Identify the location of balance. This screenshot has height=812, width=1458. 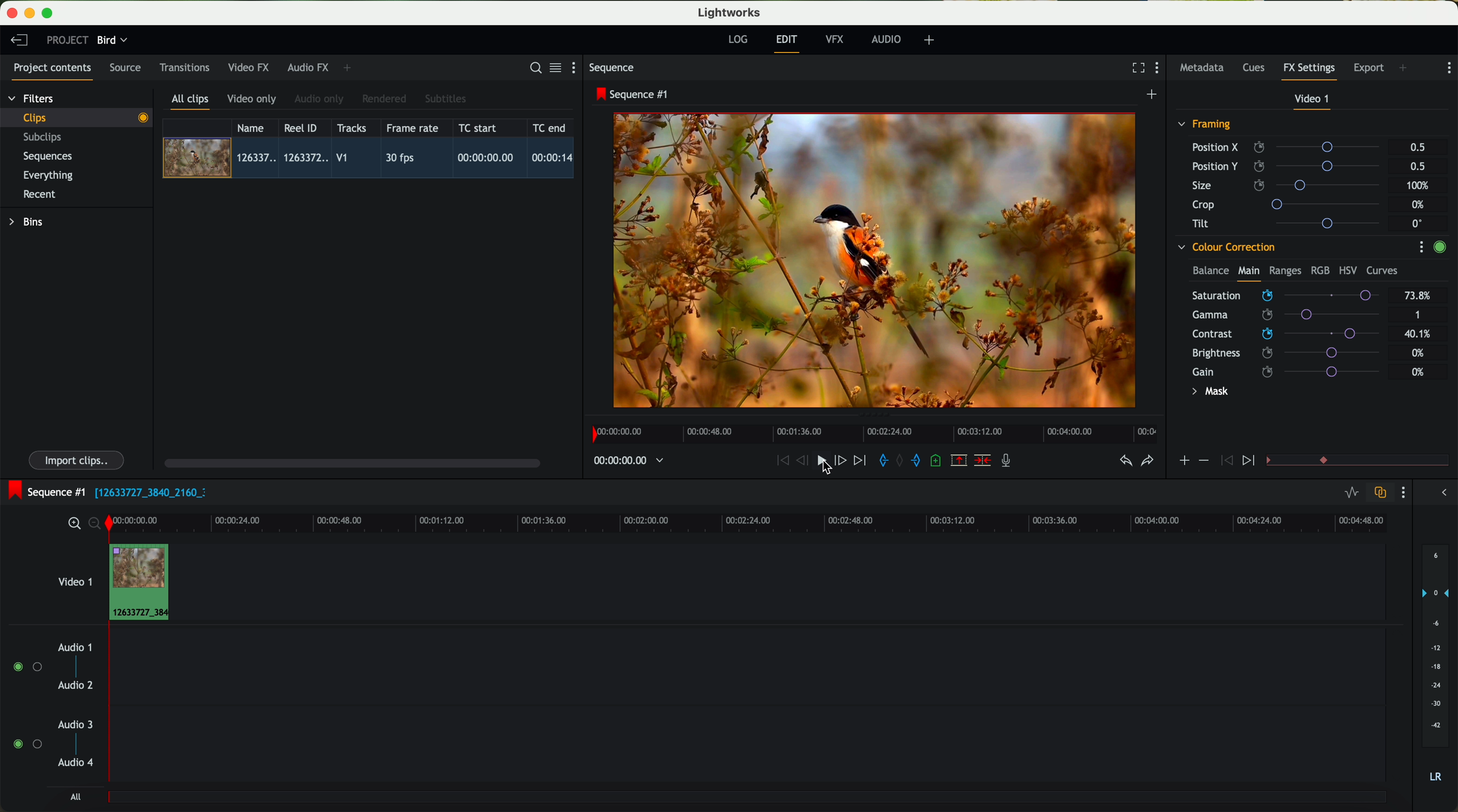
(1211, 272).